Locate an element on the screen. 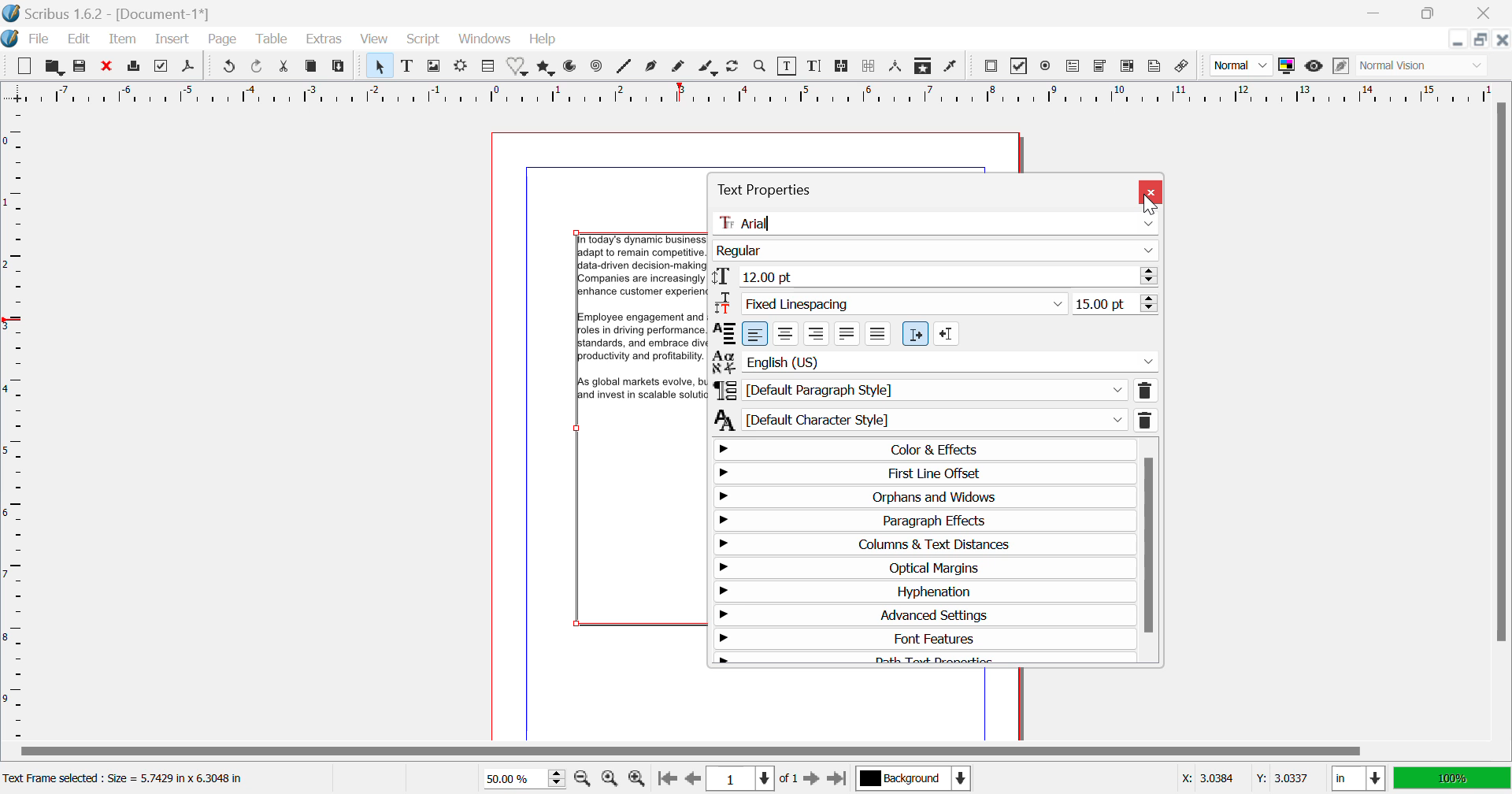 The height and width of the screenshot is (794, 1512). Pdf list box is located at coordinates (1129, 67).